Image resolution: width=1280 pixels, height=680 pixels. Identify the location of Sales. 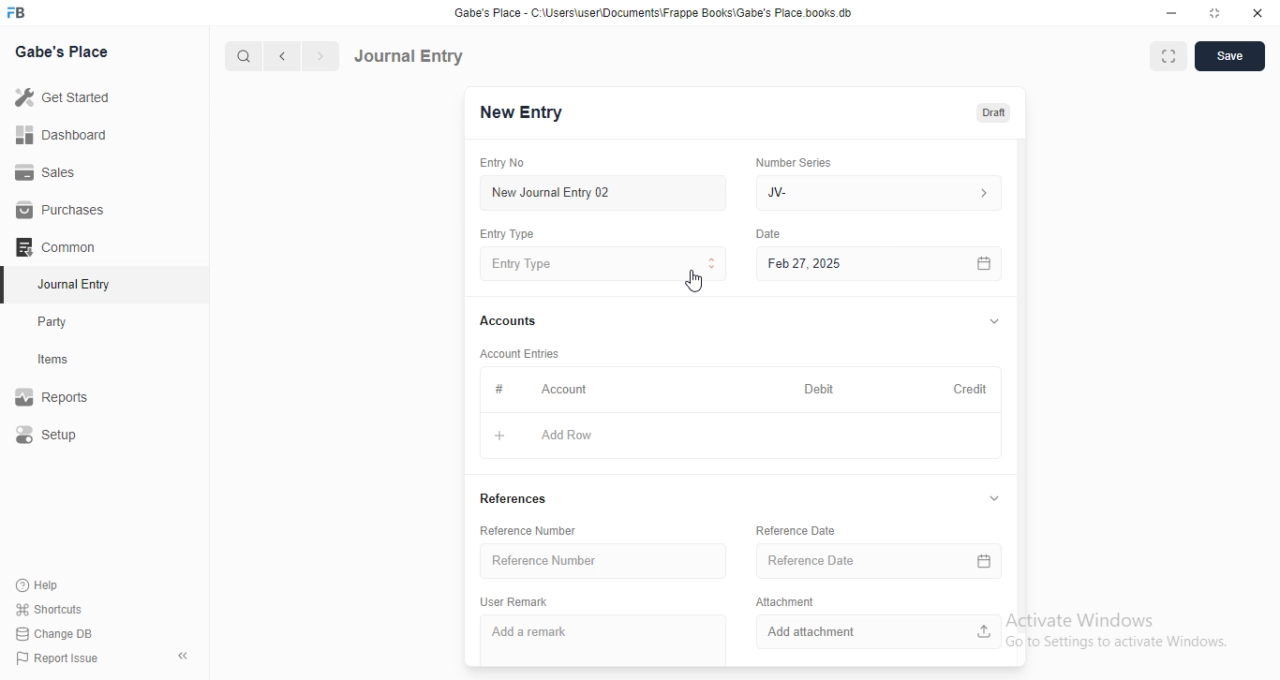
(49, 174).